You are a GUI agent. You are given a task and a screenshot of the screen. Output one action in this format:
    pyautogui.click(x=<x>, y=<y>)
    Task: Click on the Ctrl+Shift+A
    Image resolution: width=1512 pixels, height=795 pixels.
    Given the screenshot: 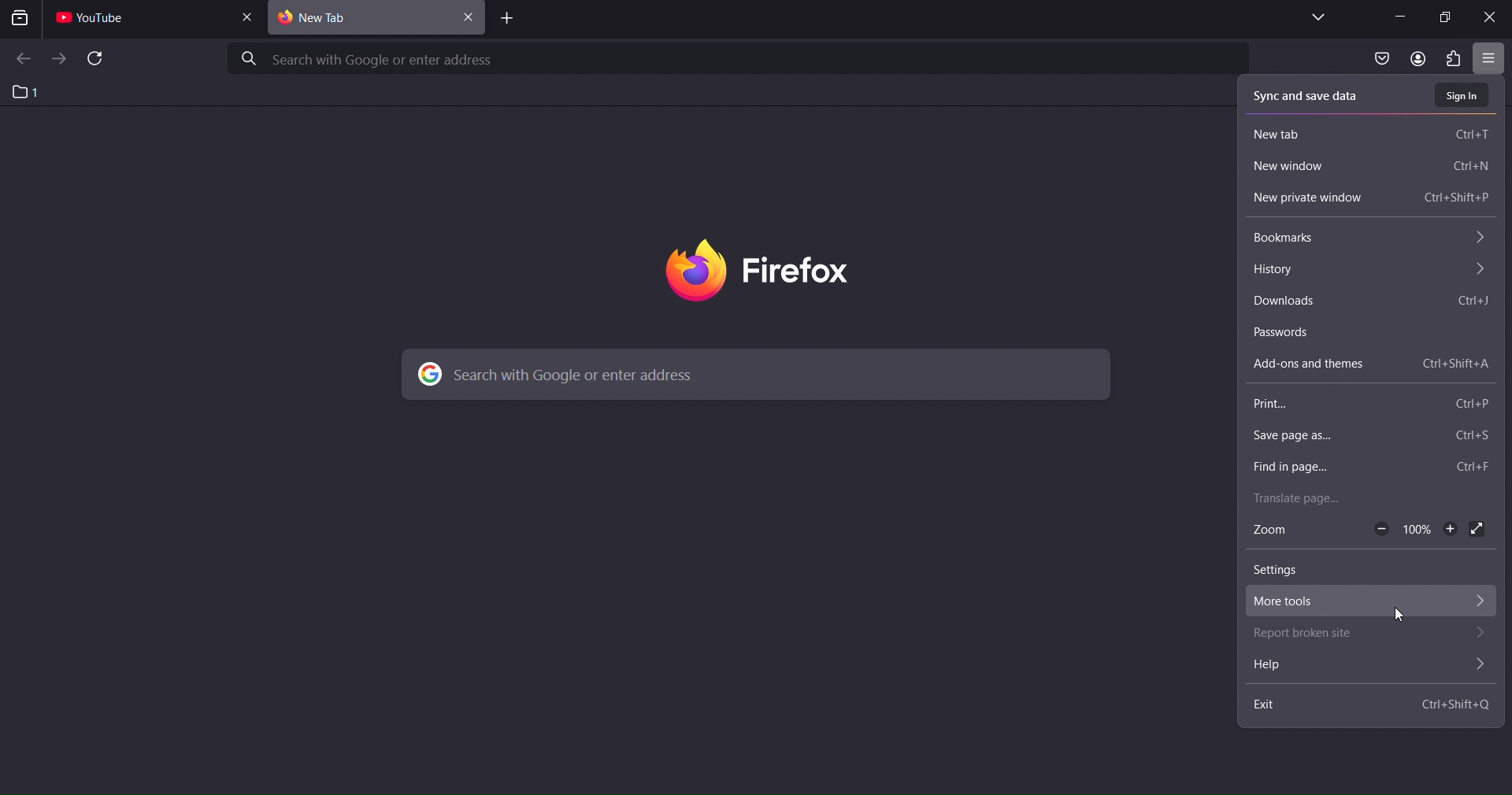 What is the action you would take?
    pyautogui.click(x=1454, y=364)
    